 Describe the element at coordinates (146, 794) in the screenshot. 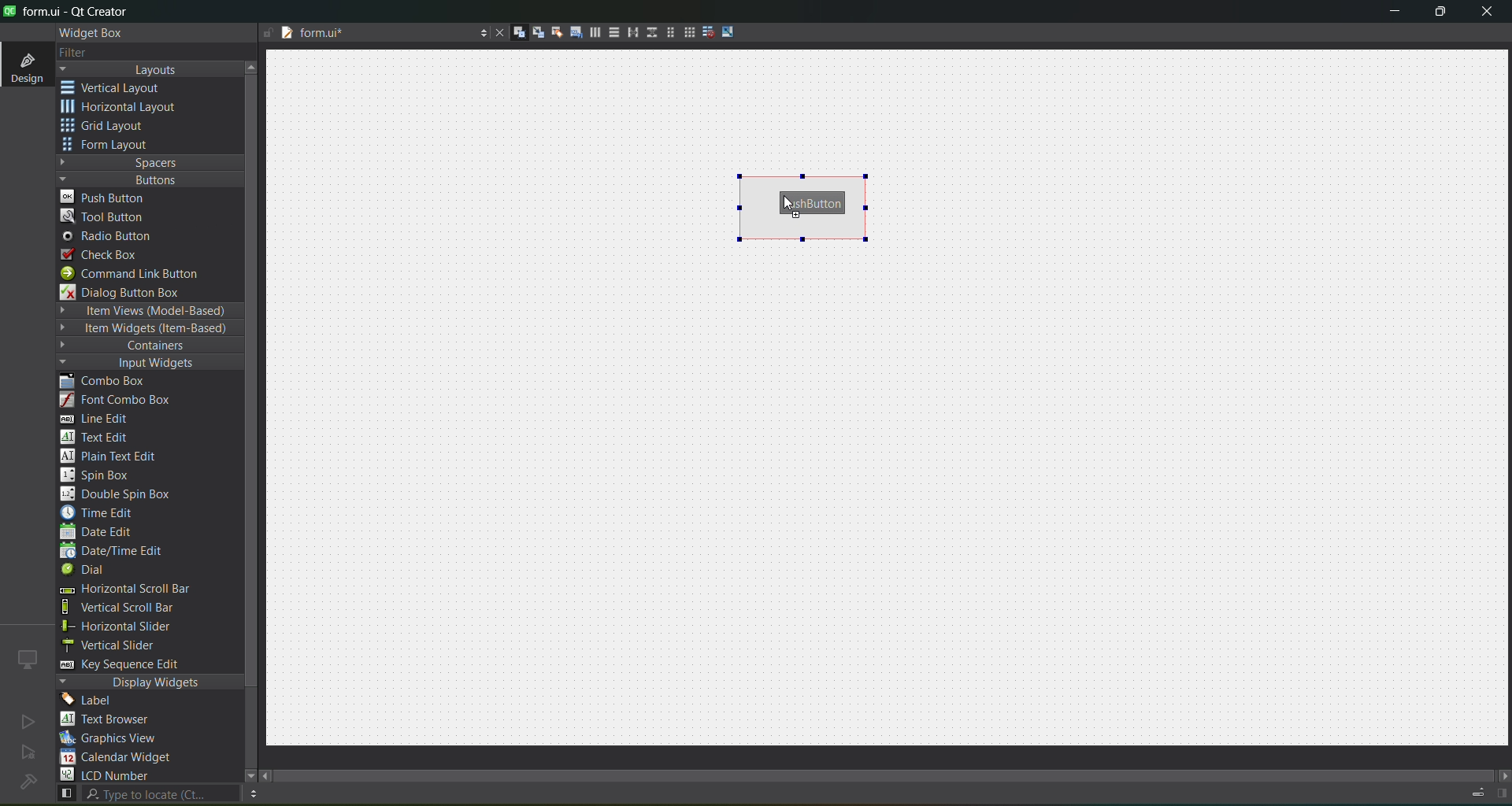

I see `search` at that location.